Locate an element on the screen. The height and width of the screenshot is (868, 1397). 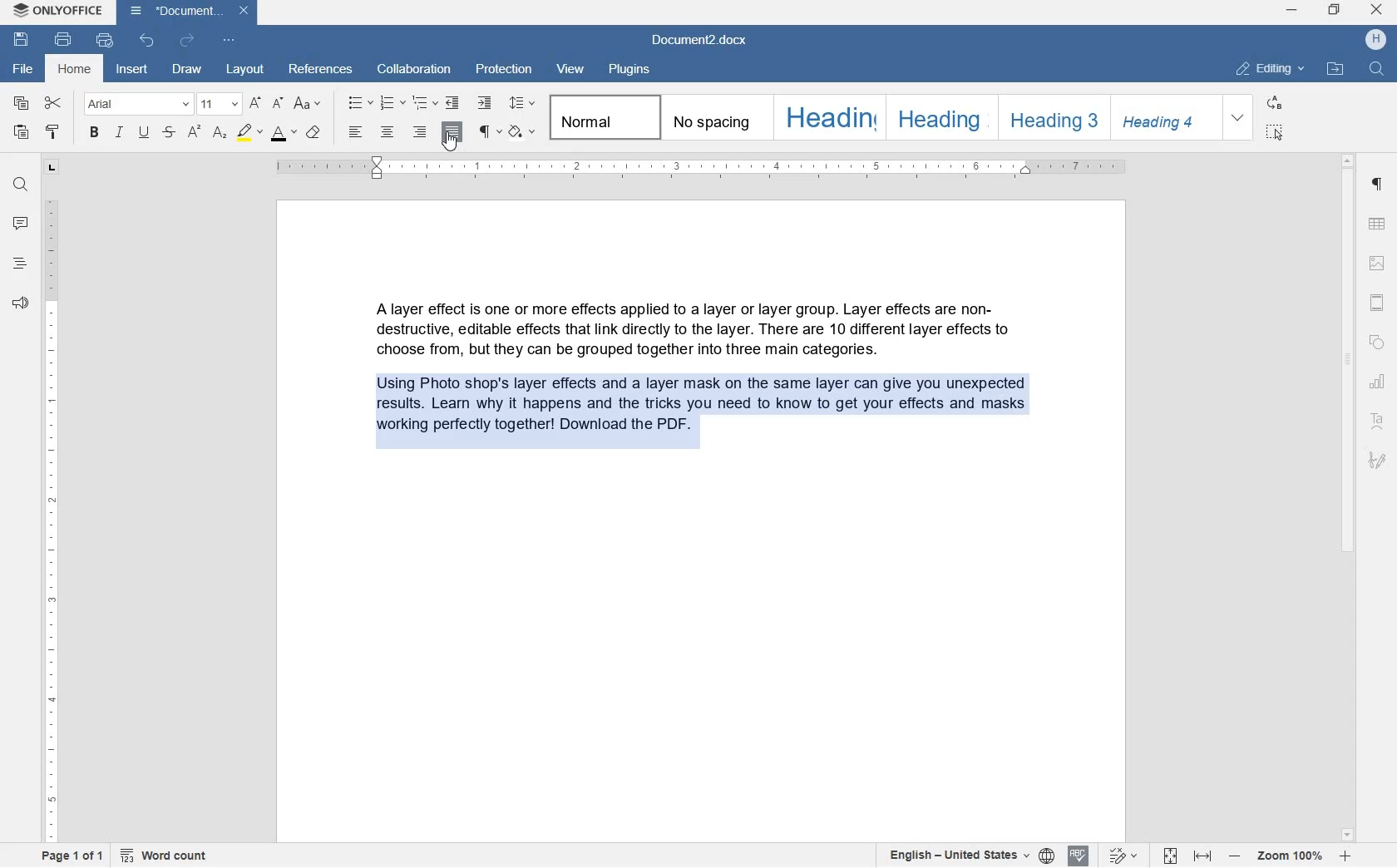
CURSOR is located at coordinates (452, 143).